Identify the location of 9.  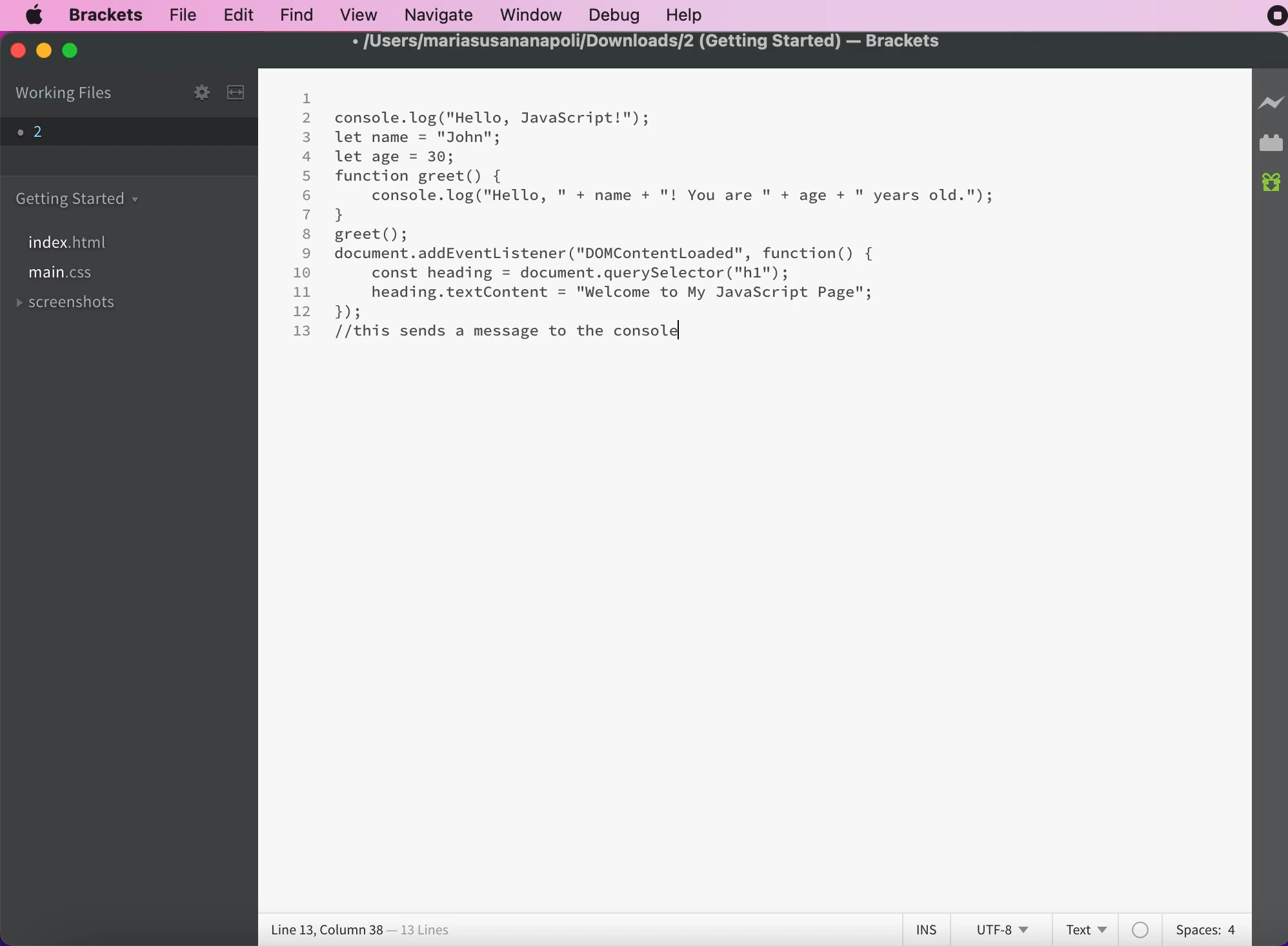
(307, 254).